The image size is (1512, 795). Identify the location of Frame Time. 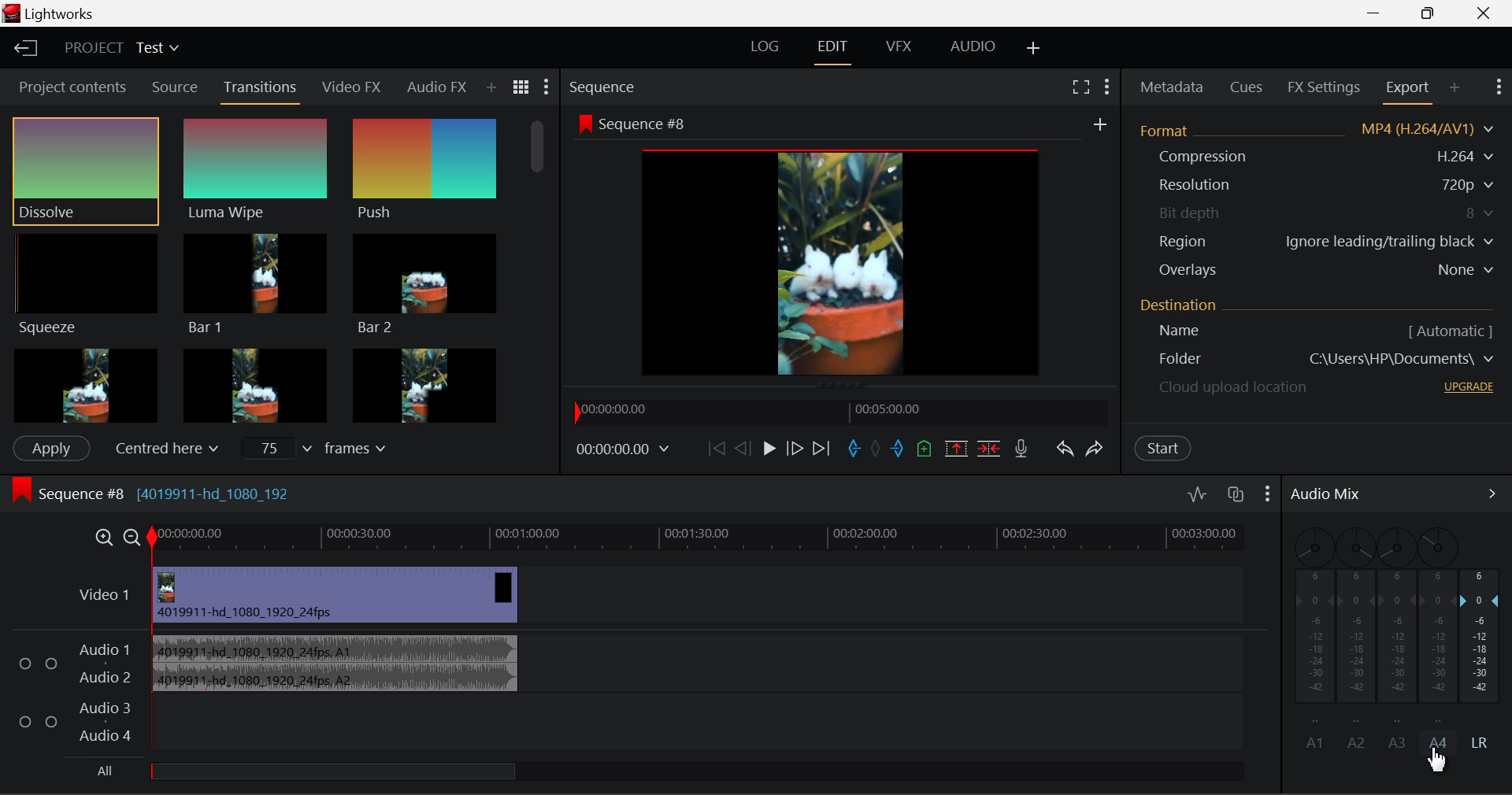
(625, 449).